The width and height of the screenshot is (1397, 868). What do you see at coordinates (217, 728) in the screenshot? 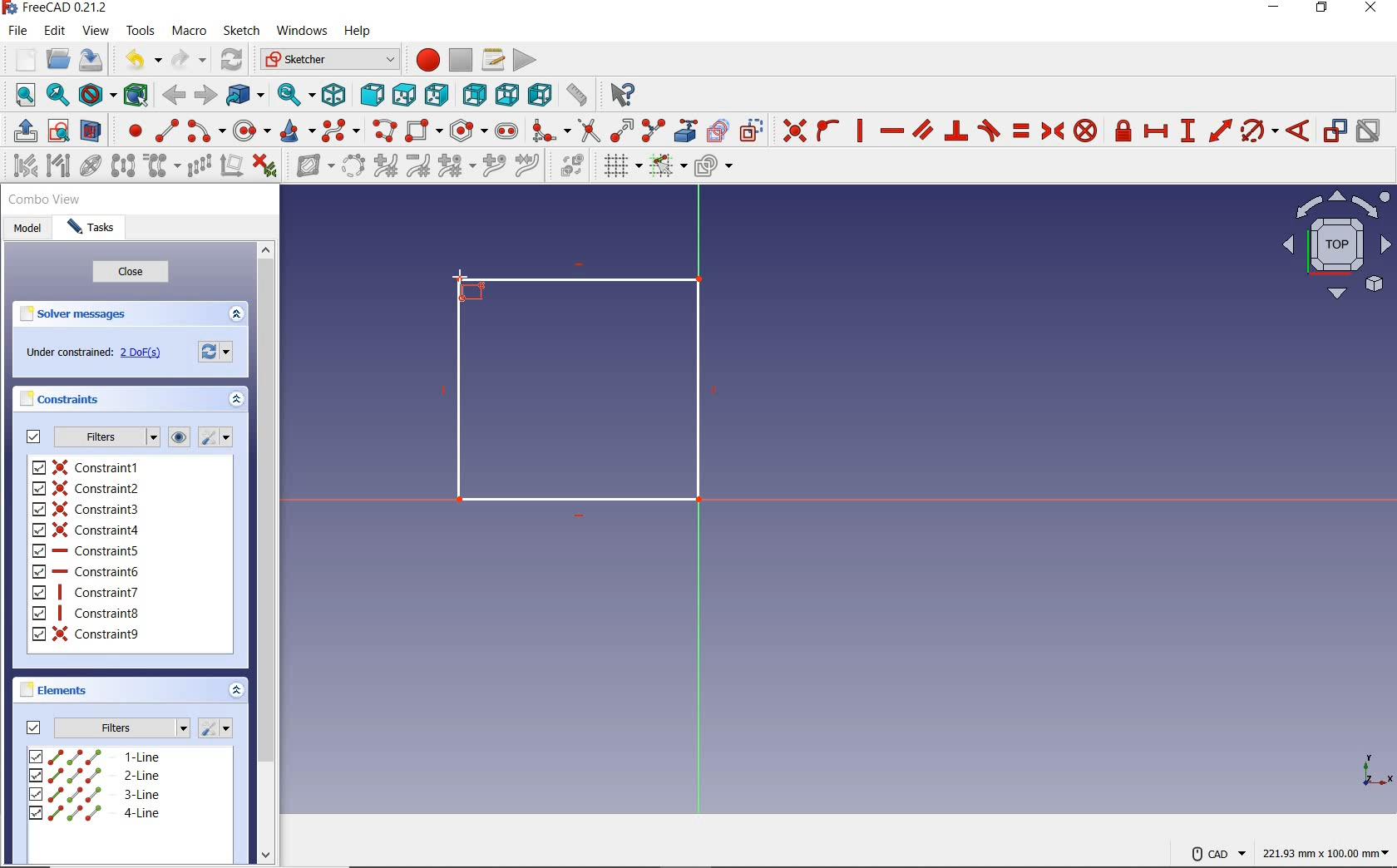
I see `settings` at bounding box center [217, 728].